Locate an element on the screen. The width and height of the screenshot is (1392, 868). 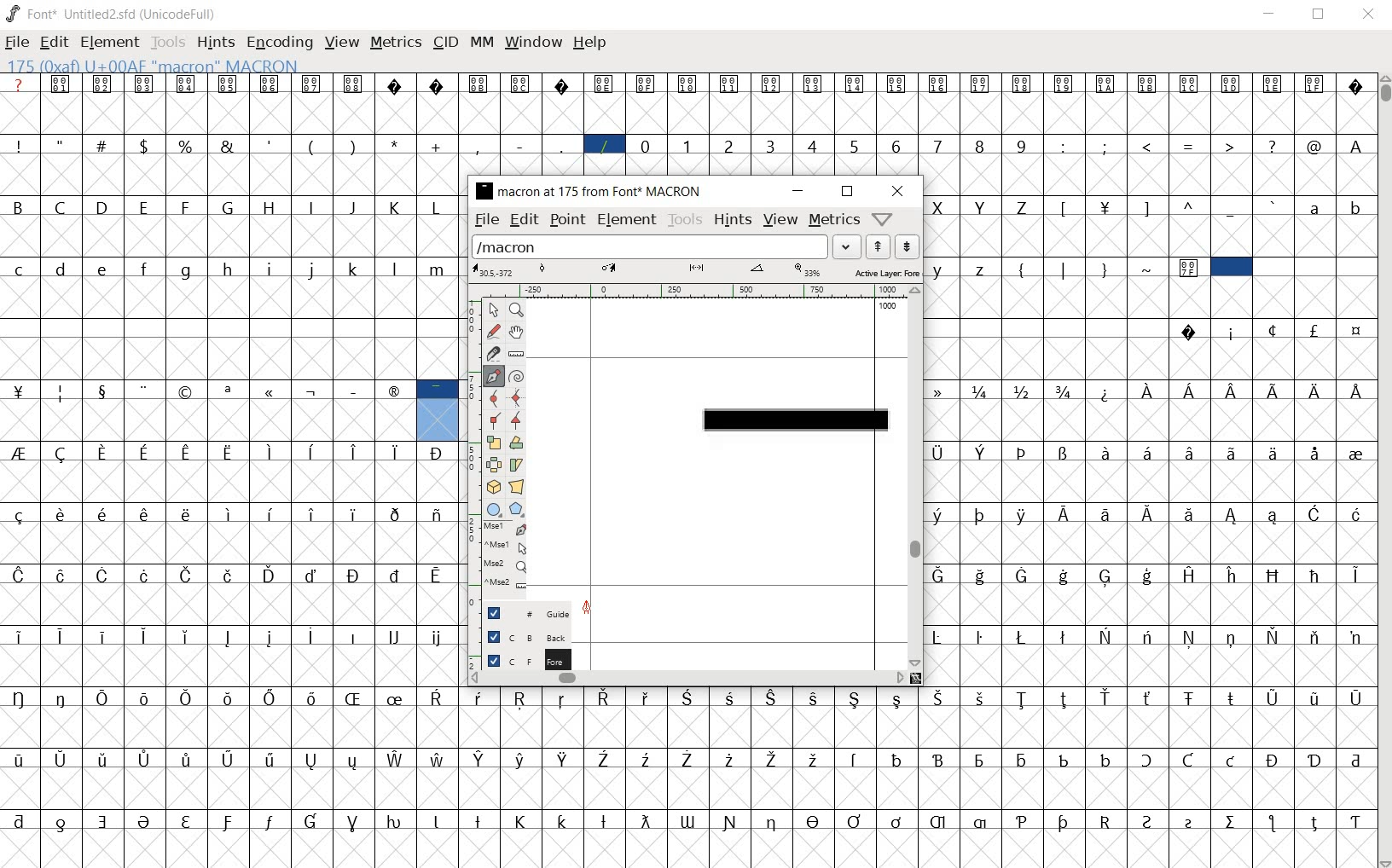
Help is located at coordinates (591, 43).